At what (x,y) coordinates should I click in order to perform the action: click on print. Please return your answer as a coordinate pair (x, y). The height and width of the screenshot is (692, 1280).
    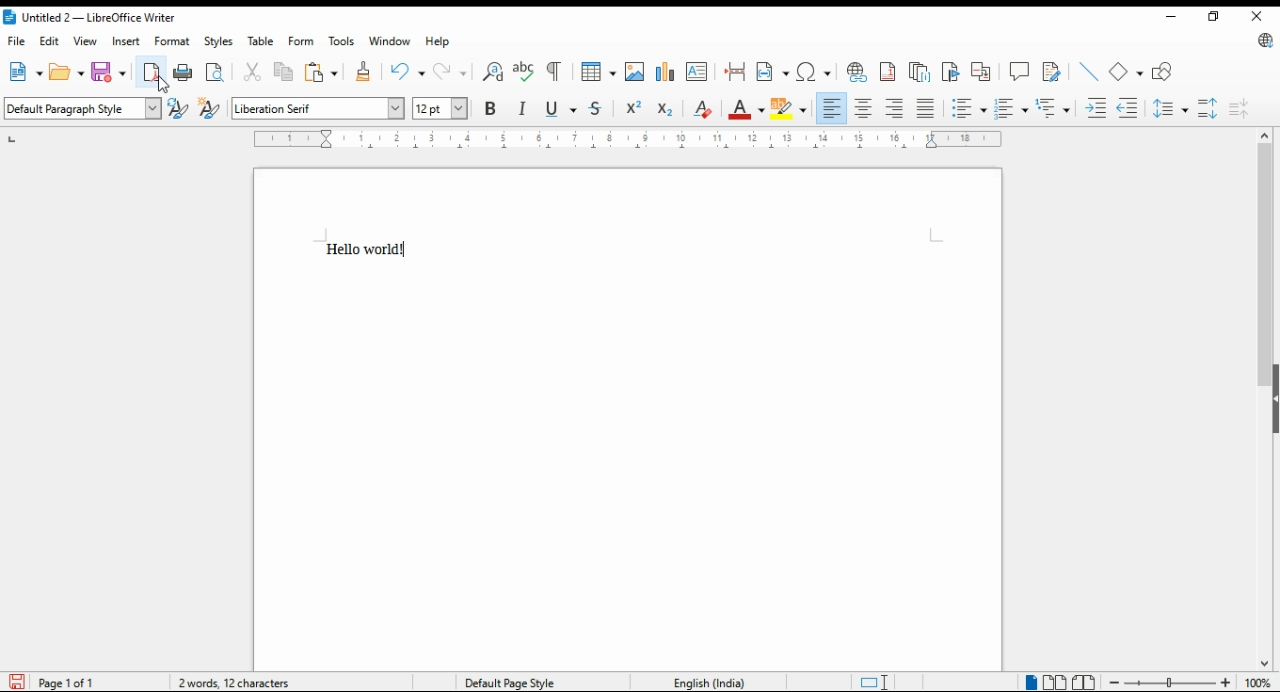
    Looking at the image, I should click on (184, 71).